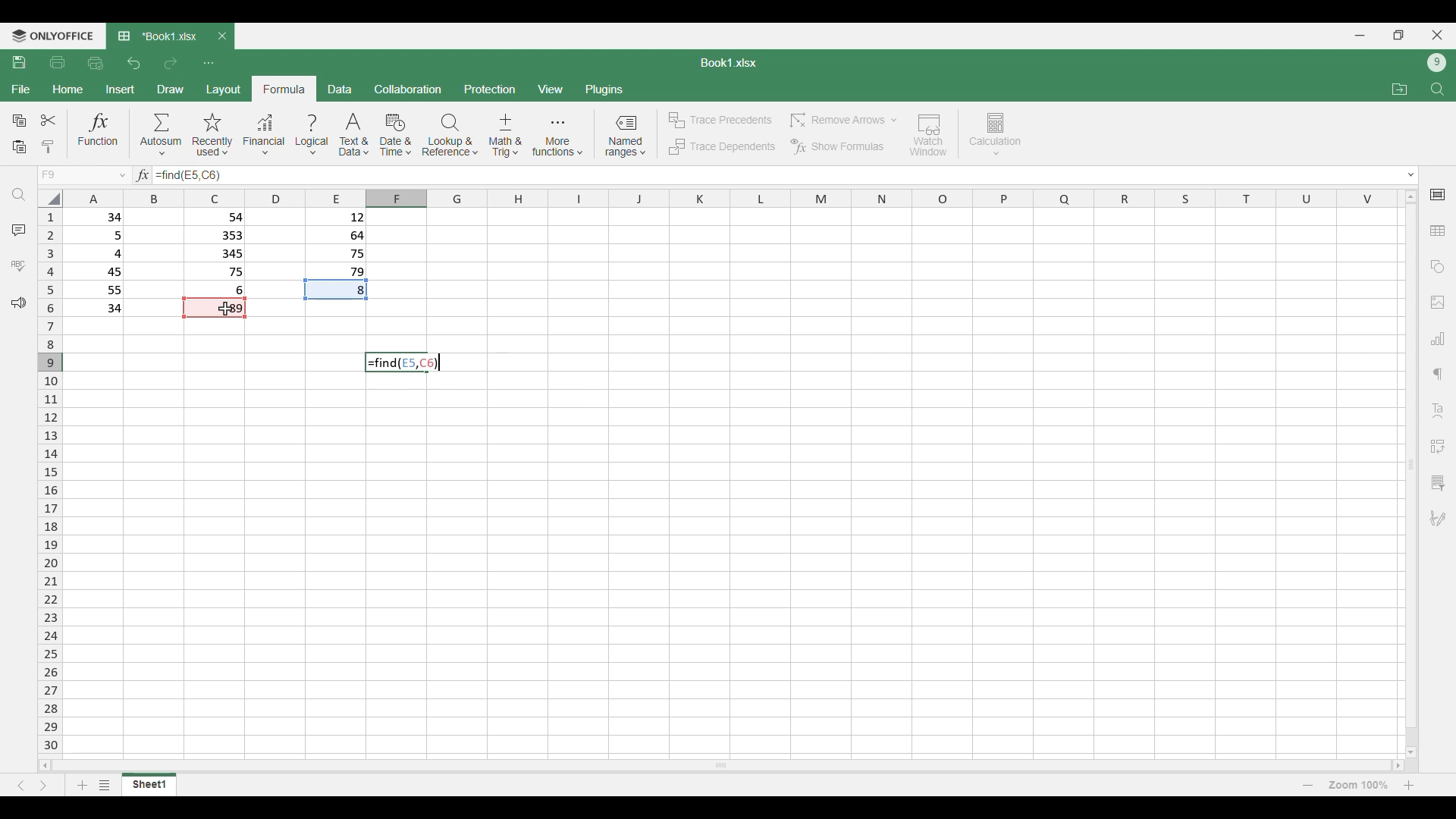 The height and width of the screenshot is (819, 1456). Describe the element at coordinates (211, 175) in the screenshot. I see `Selected cell added` at that location.